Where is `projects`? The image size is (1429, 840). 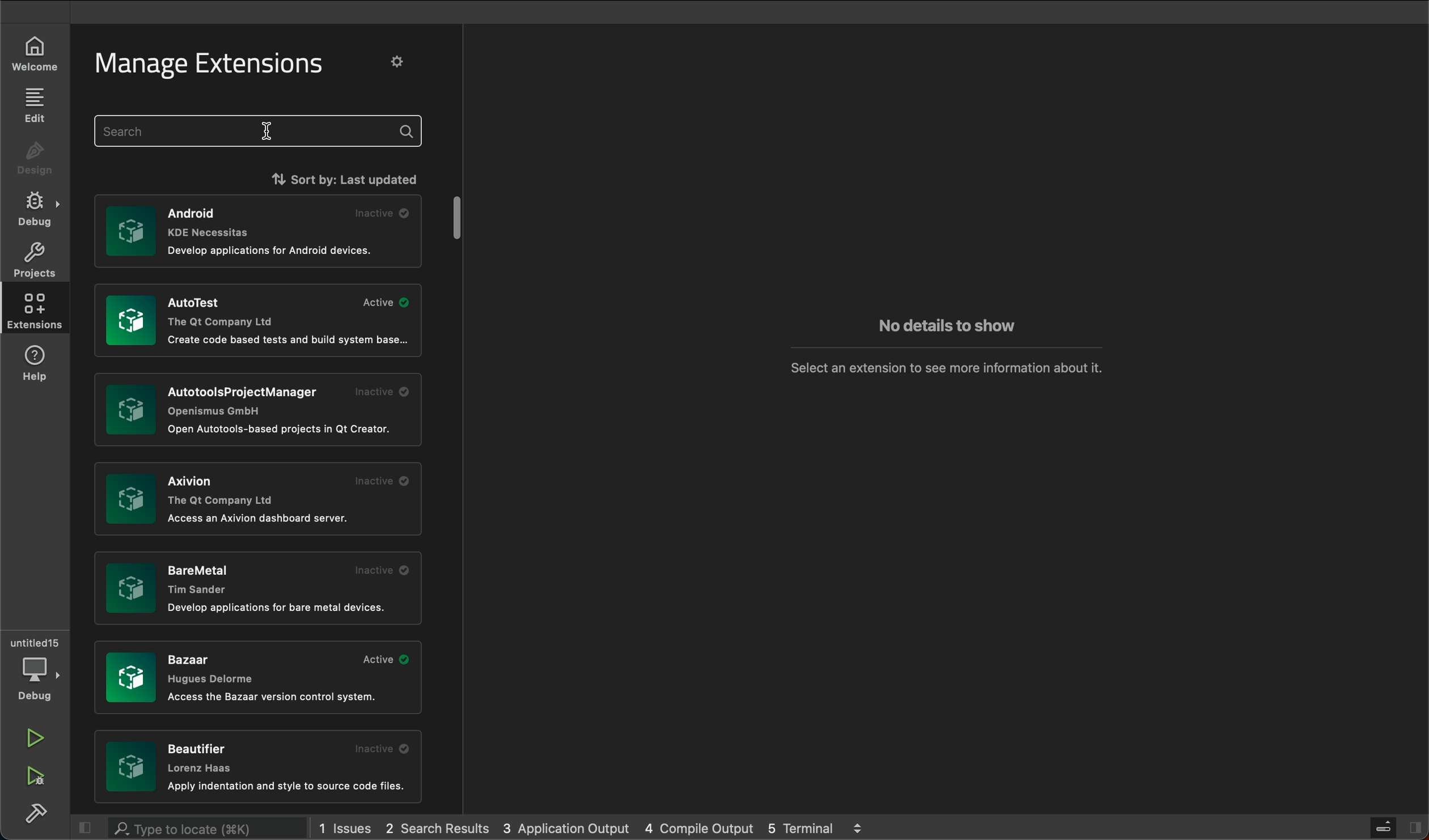
projects is located at coordinates (32, 258).